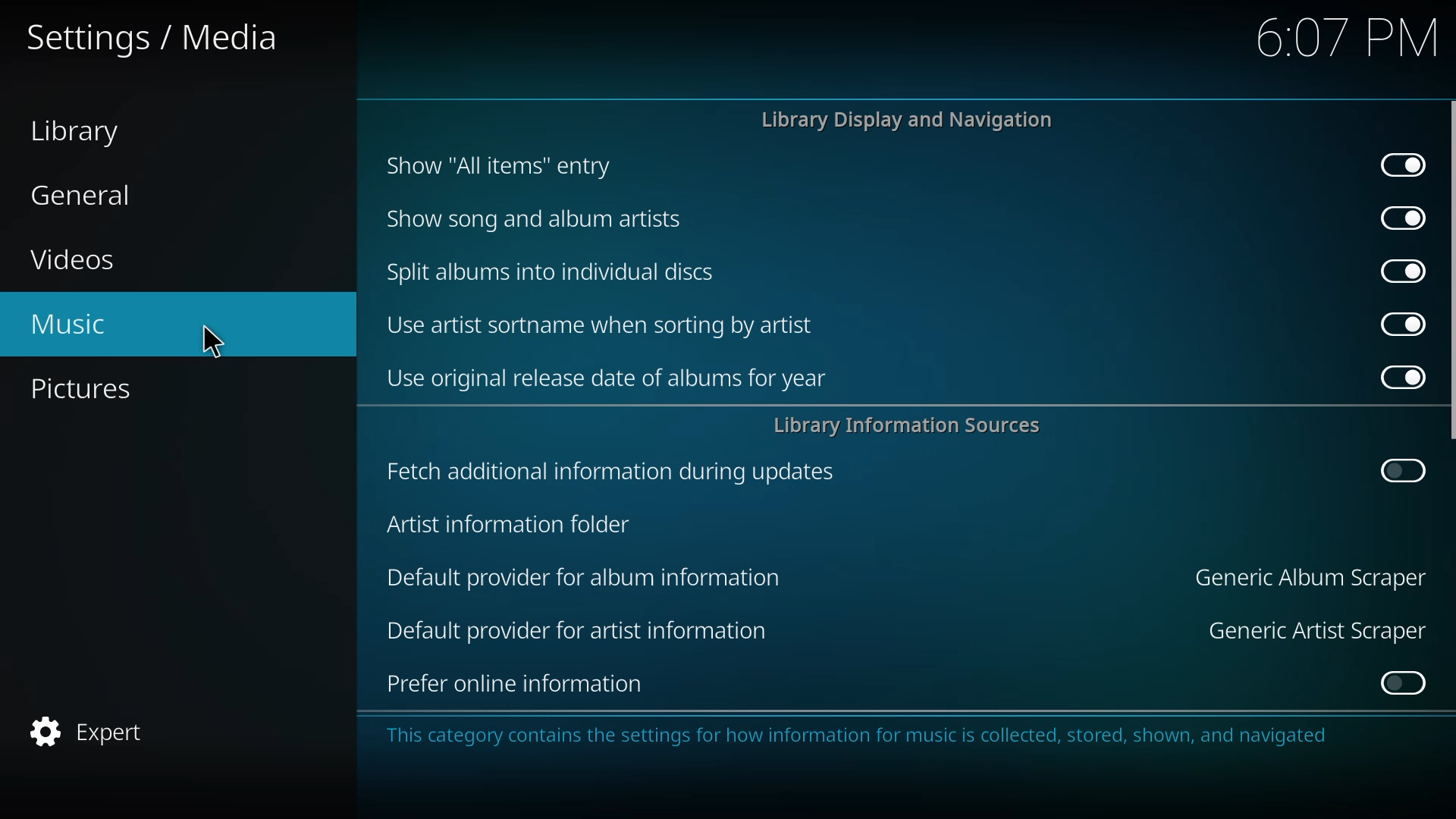  I want to click on Split albums into individual discs, so click(563, 272).